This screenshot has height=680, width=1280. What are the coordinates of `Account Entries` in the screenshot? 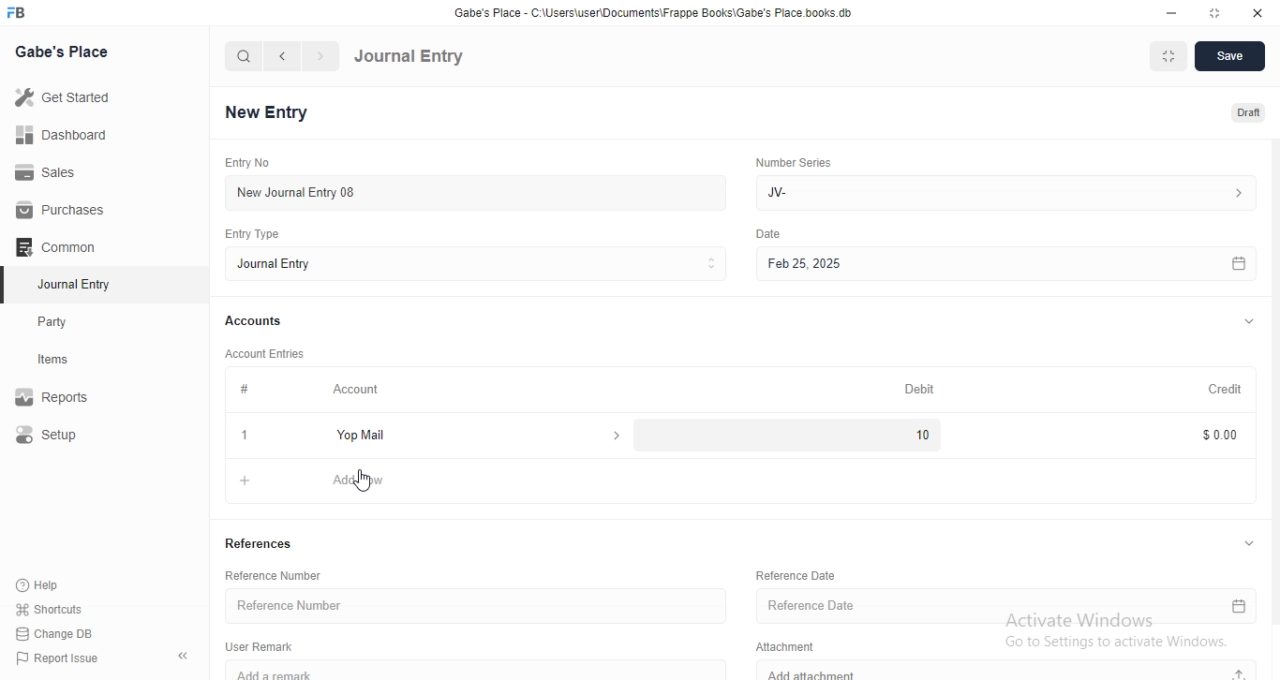 It's located at (267, 354).